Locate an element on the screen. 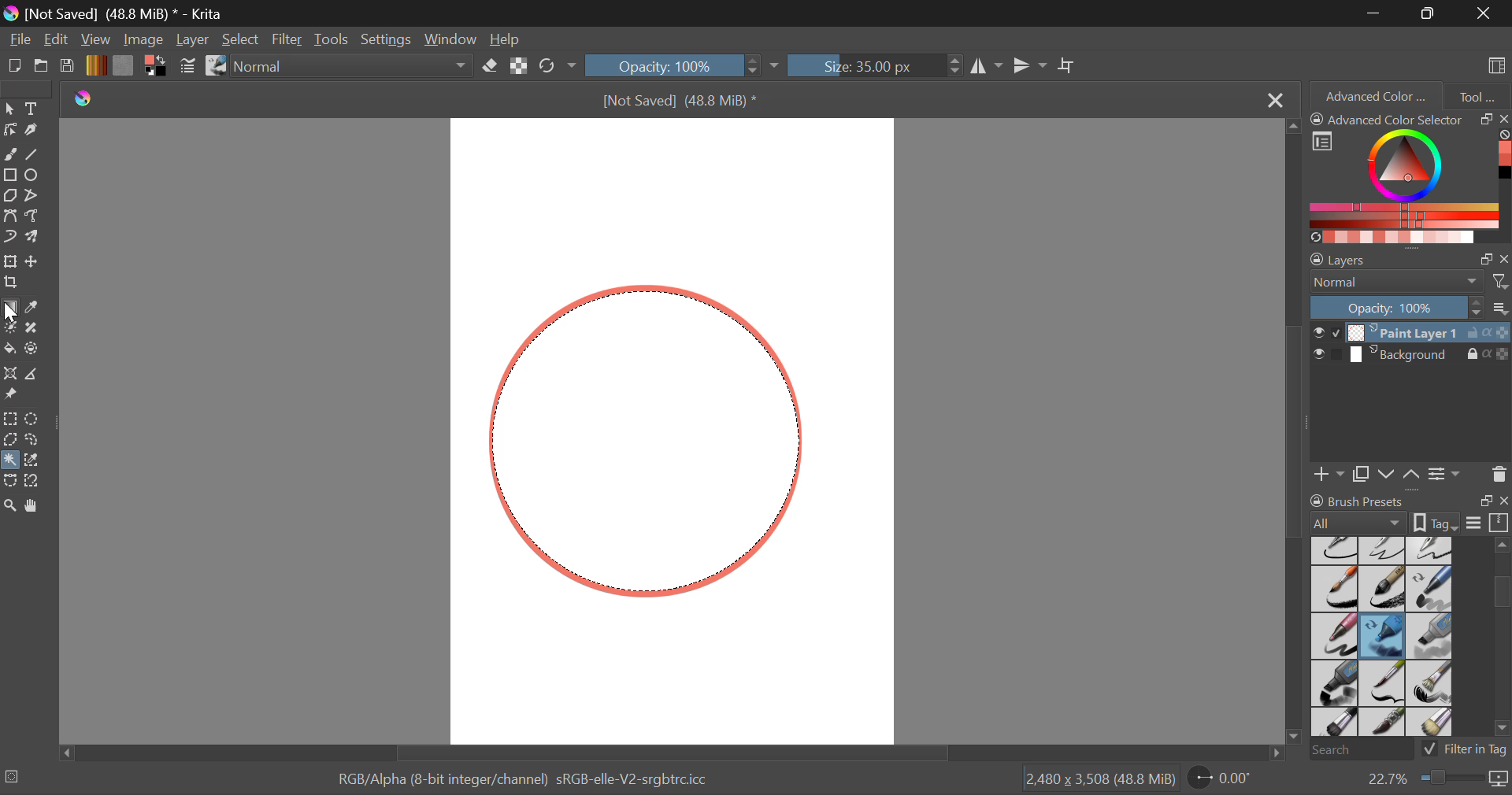 This screenshot has height=795, width=1512. Smart Patch Tool is located at coordinates (35, 329).